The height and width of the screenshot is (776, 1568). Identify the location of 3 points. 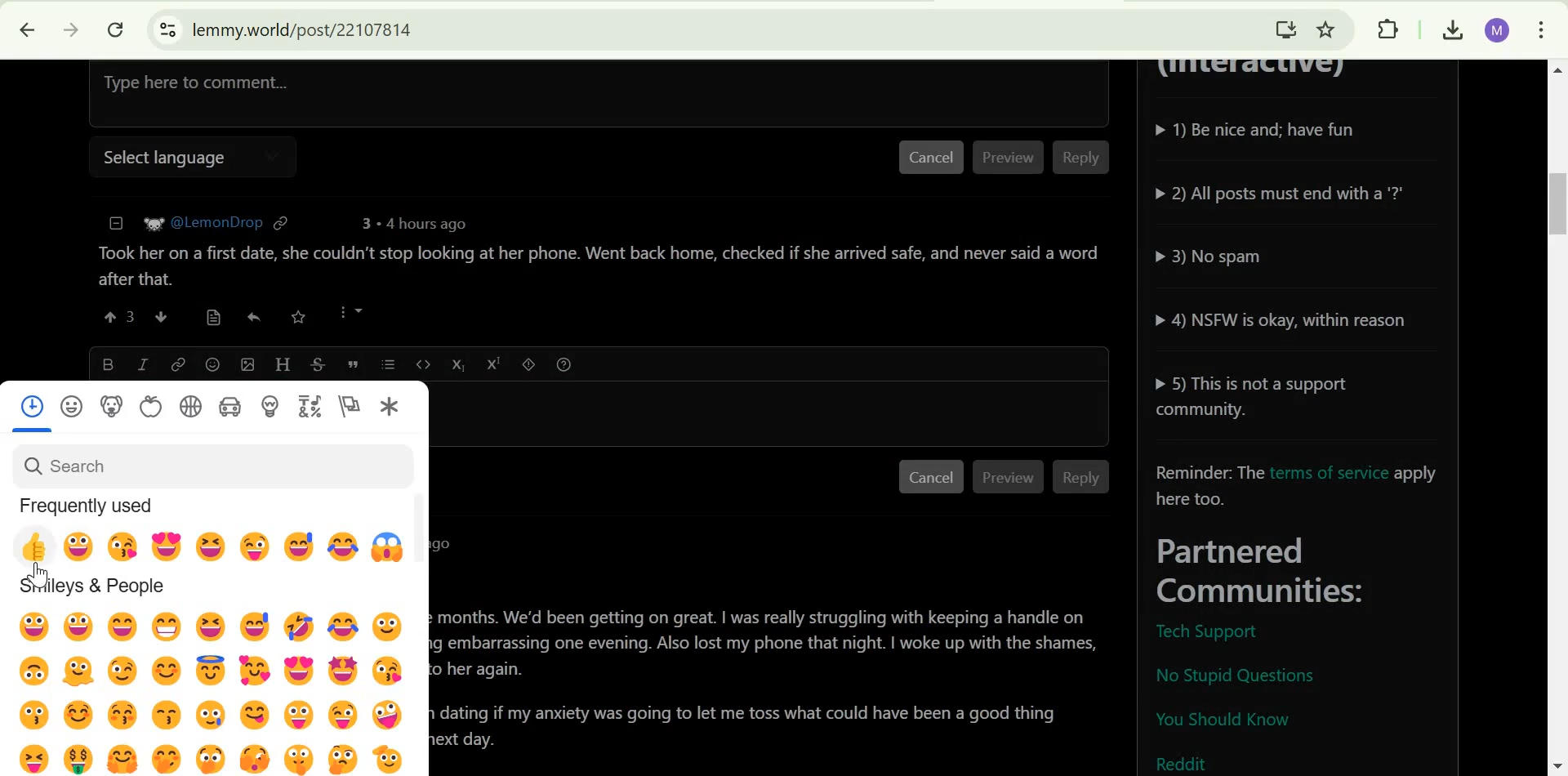
(363, 223).